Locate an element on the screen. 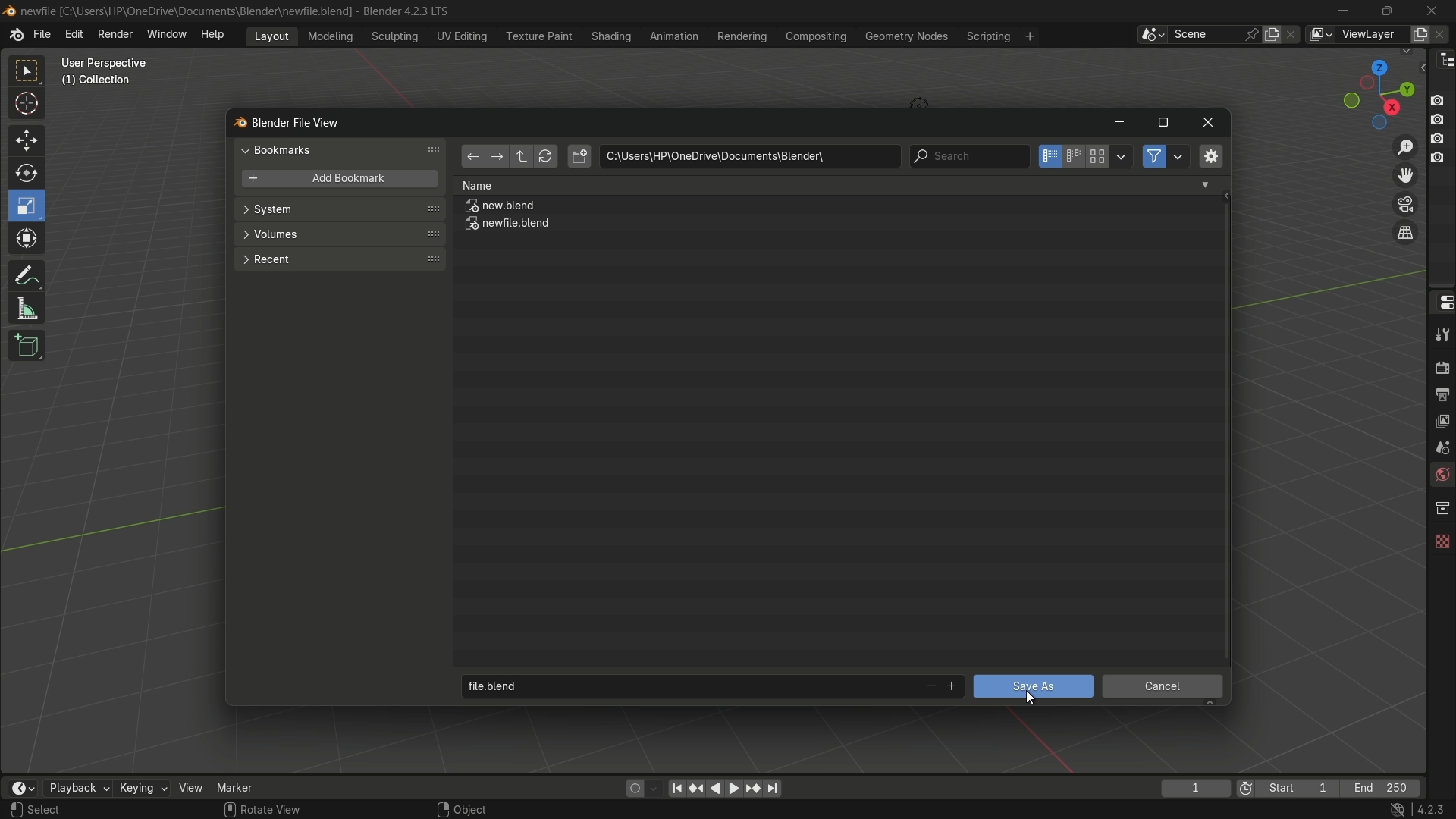  view layer is located at coordinates (1441, 419).